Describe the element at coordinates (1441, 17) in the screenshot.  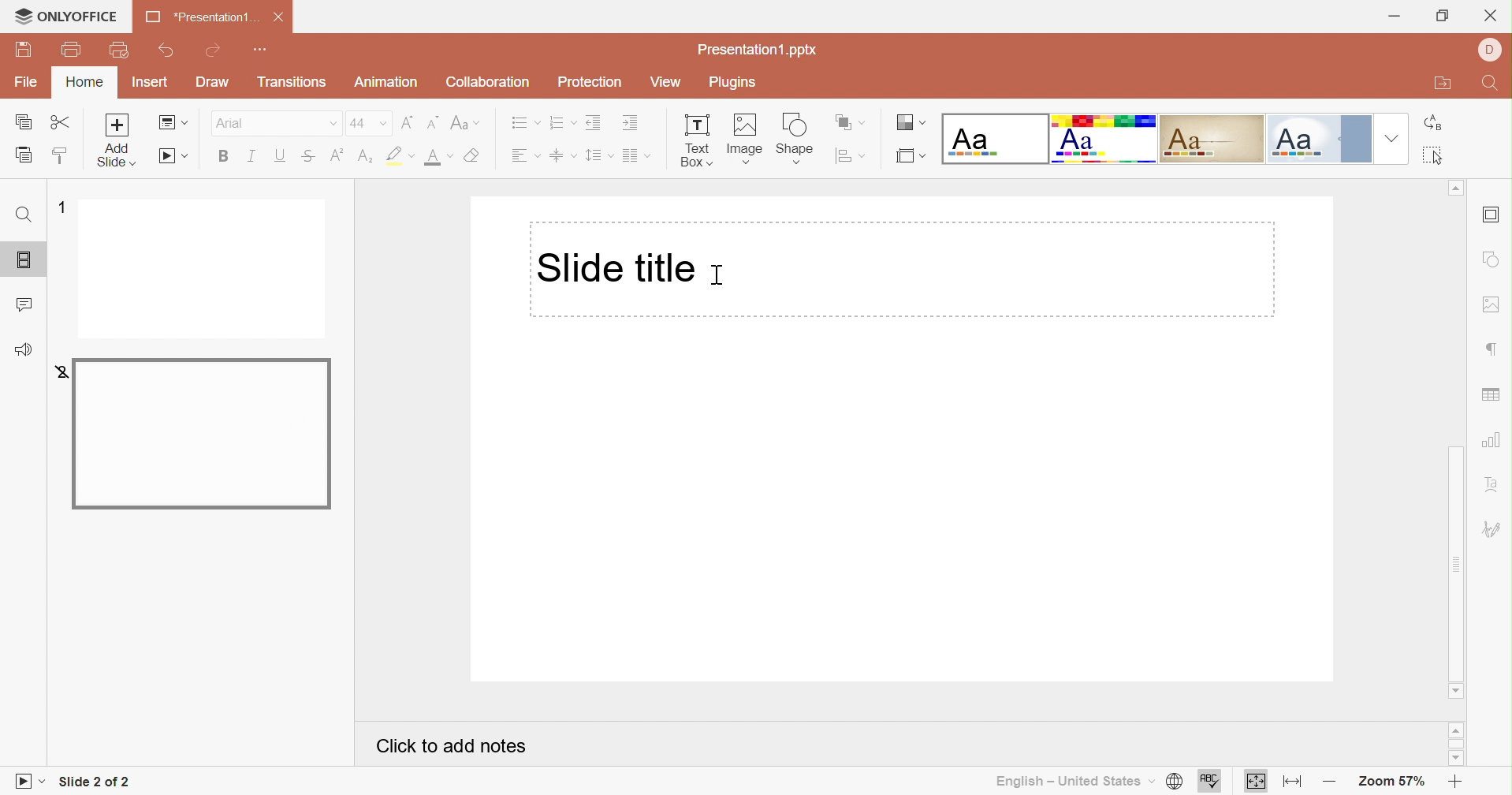
I see `Restore down` at that location.